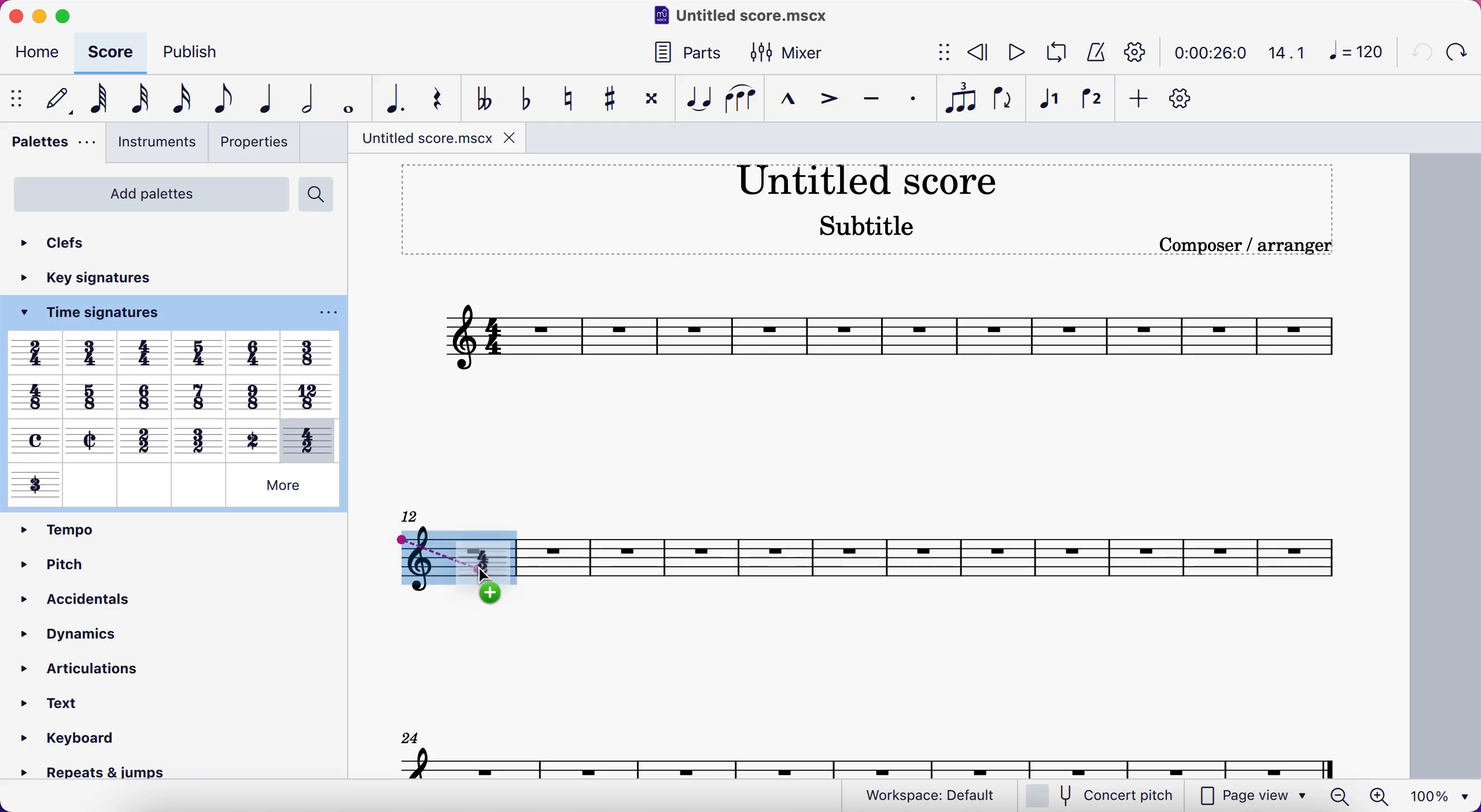 The image size is (1481, 812). Describe the element at coordinates (216, 99) in the screenshot. I see `eight note` at that location.